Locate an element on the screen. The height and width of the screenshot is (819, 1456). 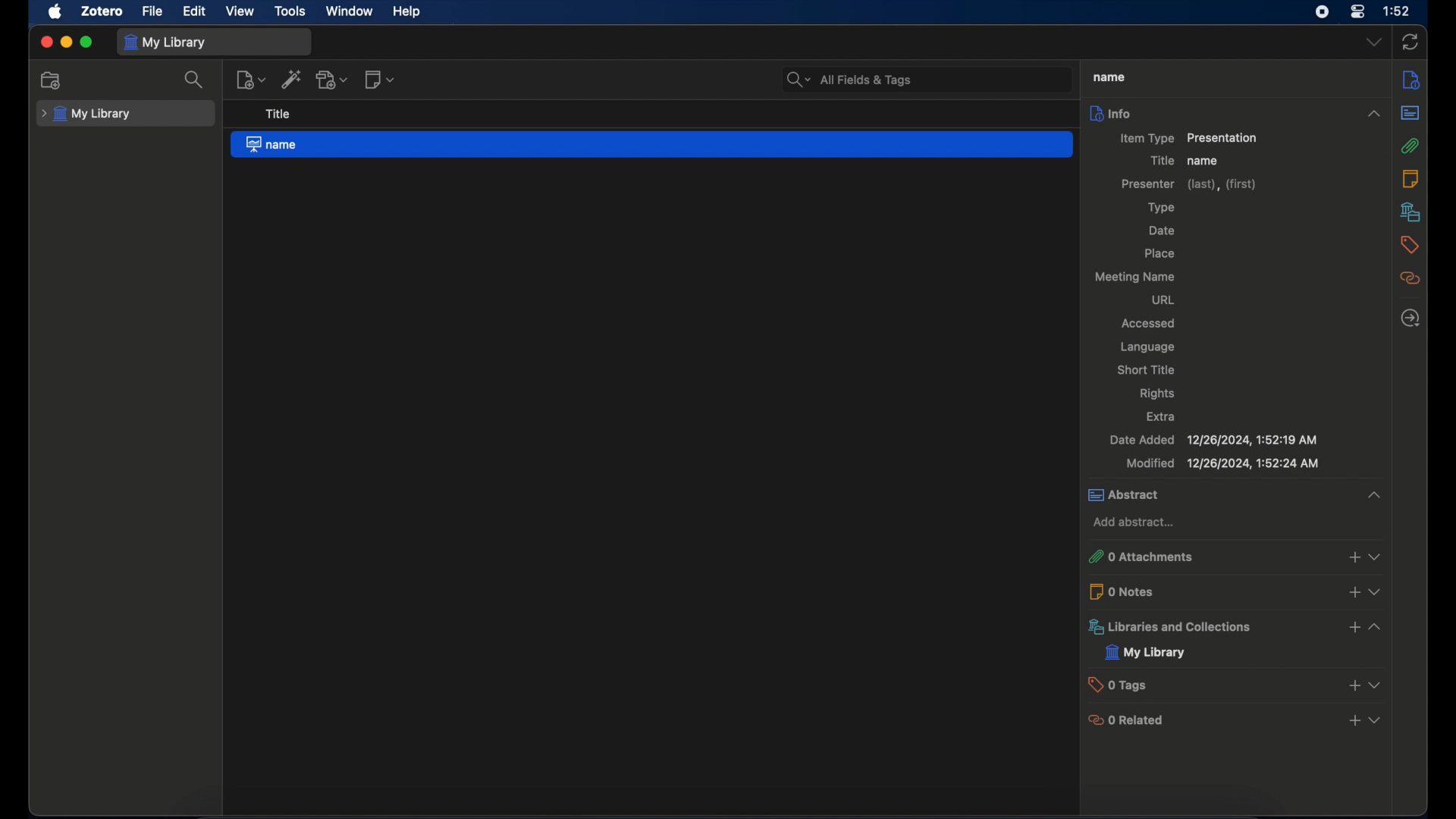
date added 12/26/2024, 1:52:19 AM is located at coordinates (1212, 440).